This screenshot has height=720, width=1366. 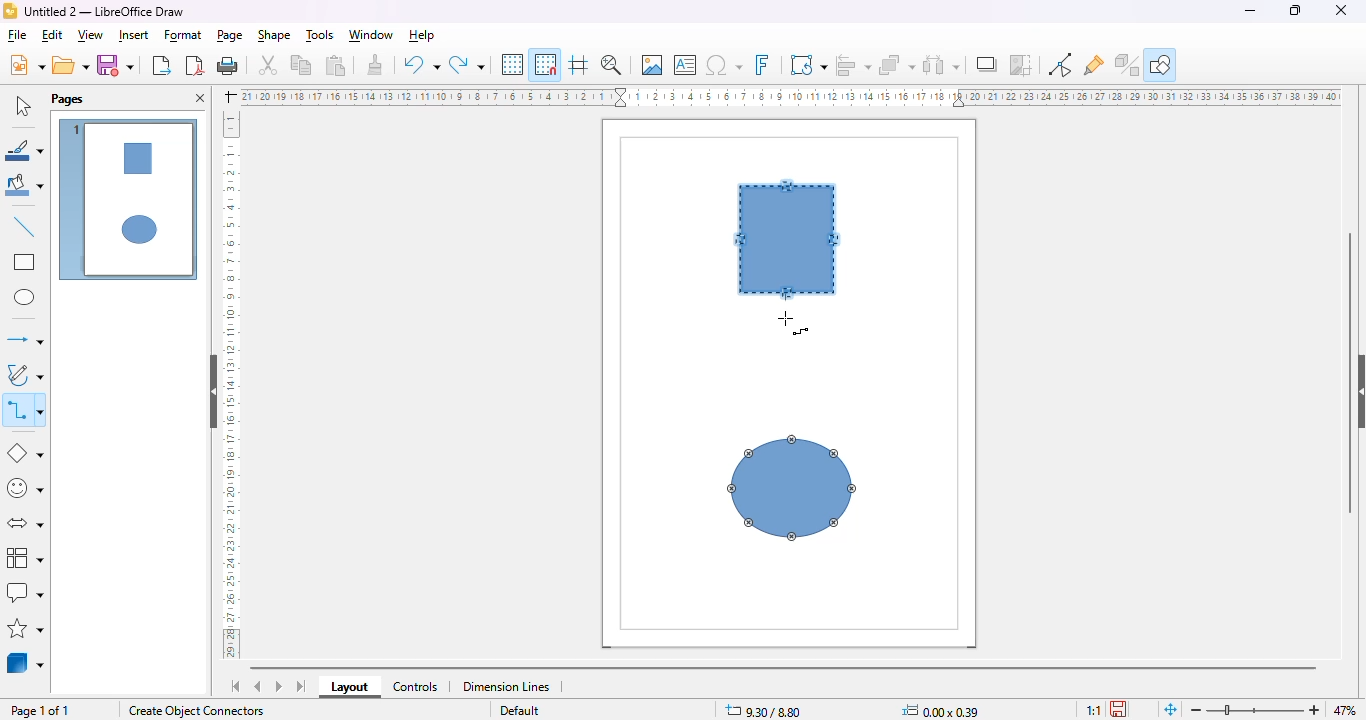 I want to click on file, so click(x=18, y=36).